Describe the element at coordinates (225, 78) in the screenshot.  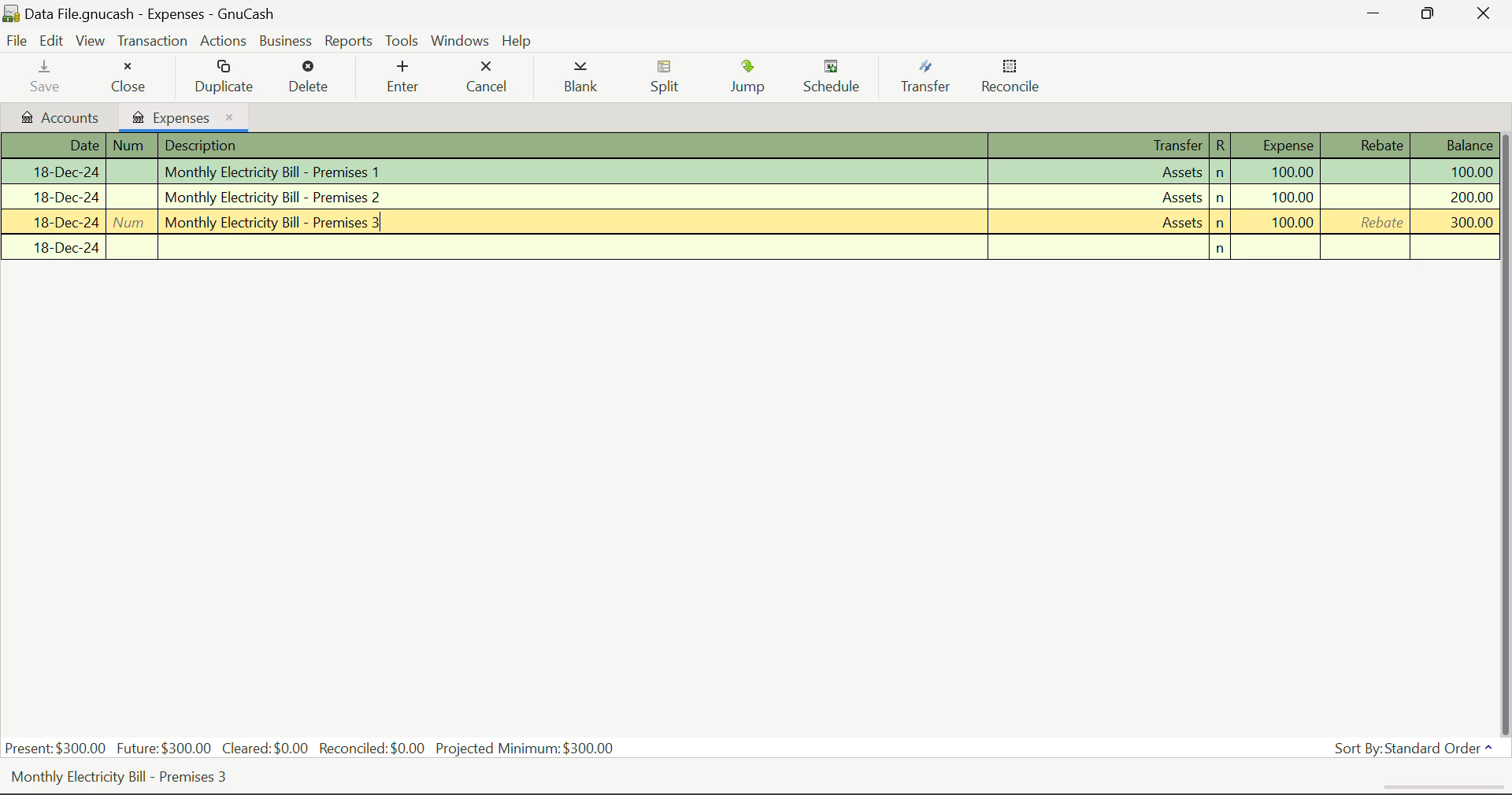
I see `Duplicate` at that location.